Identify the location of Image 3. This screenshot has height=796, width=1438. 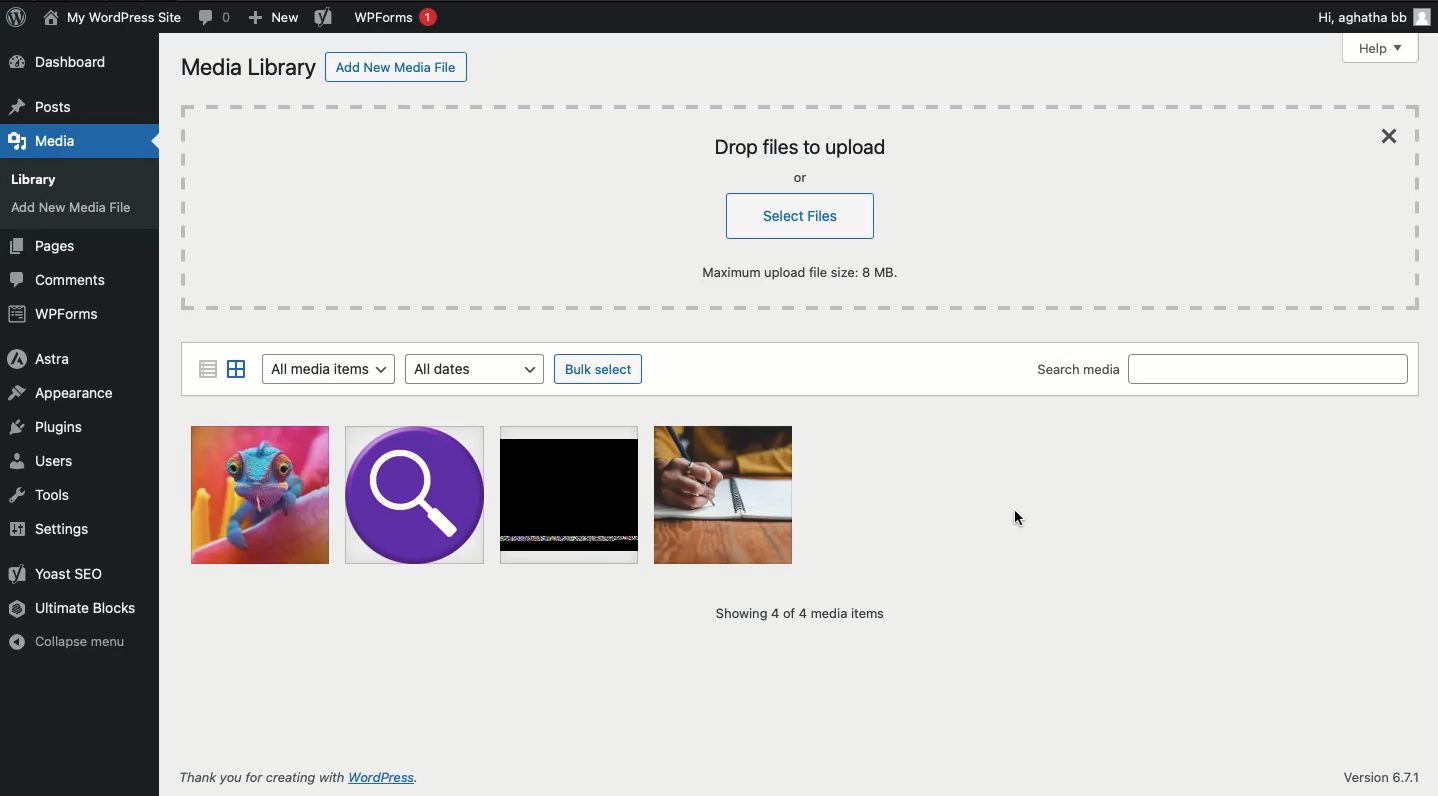
(571, 494).